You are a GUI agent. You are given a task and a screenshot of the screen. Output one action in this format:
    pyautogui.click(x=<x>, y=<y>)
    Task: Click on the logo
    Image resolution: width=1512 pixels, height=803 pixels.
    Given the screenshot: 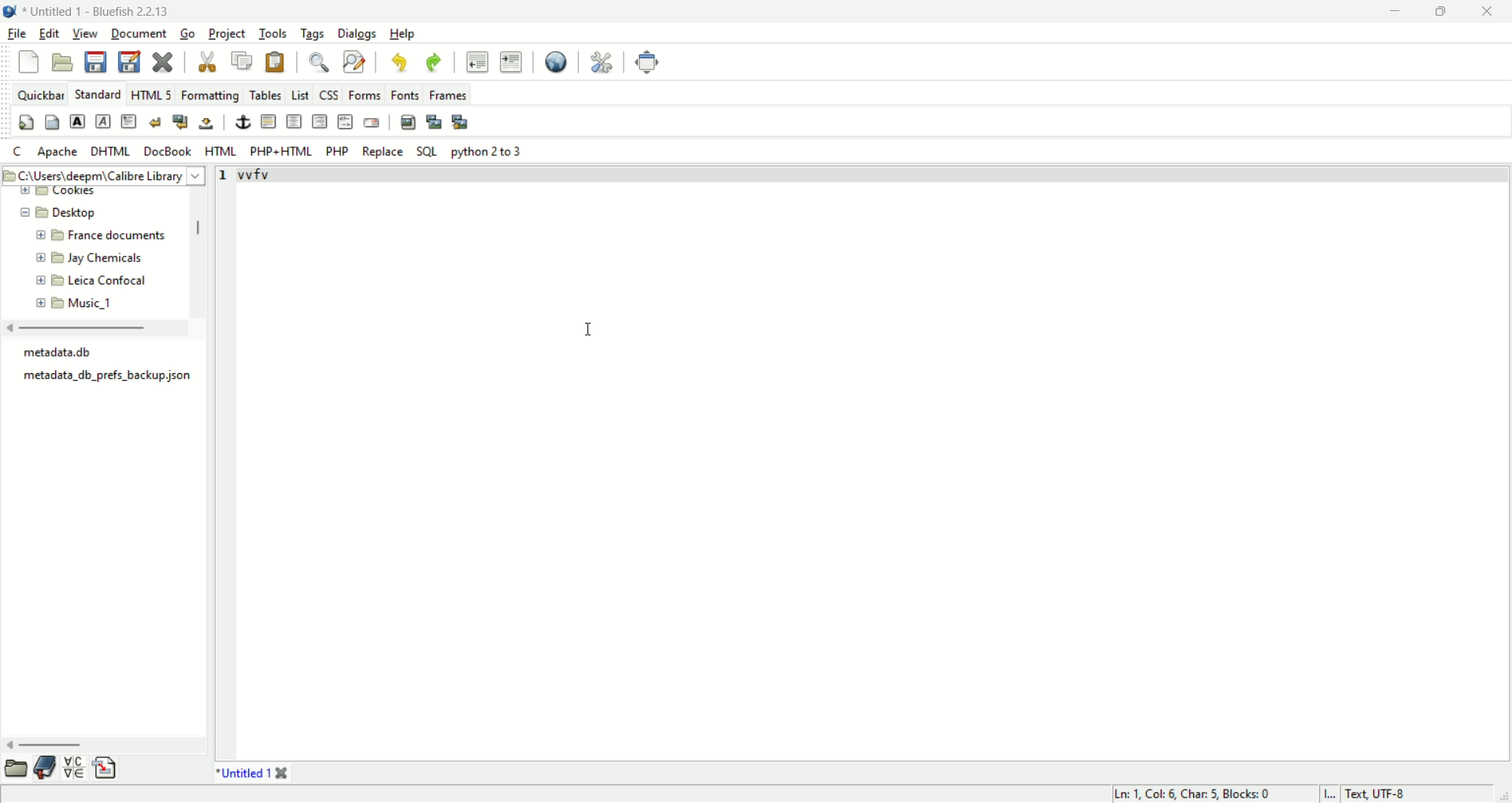 What is the action you would take?
    pyautogui.click(x=9, y=12)
    